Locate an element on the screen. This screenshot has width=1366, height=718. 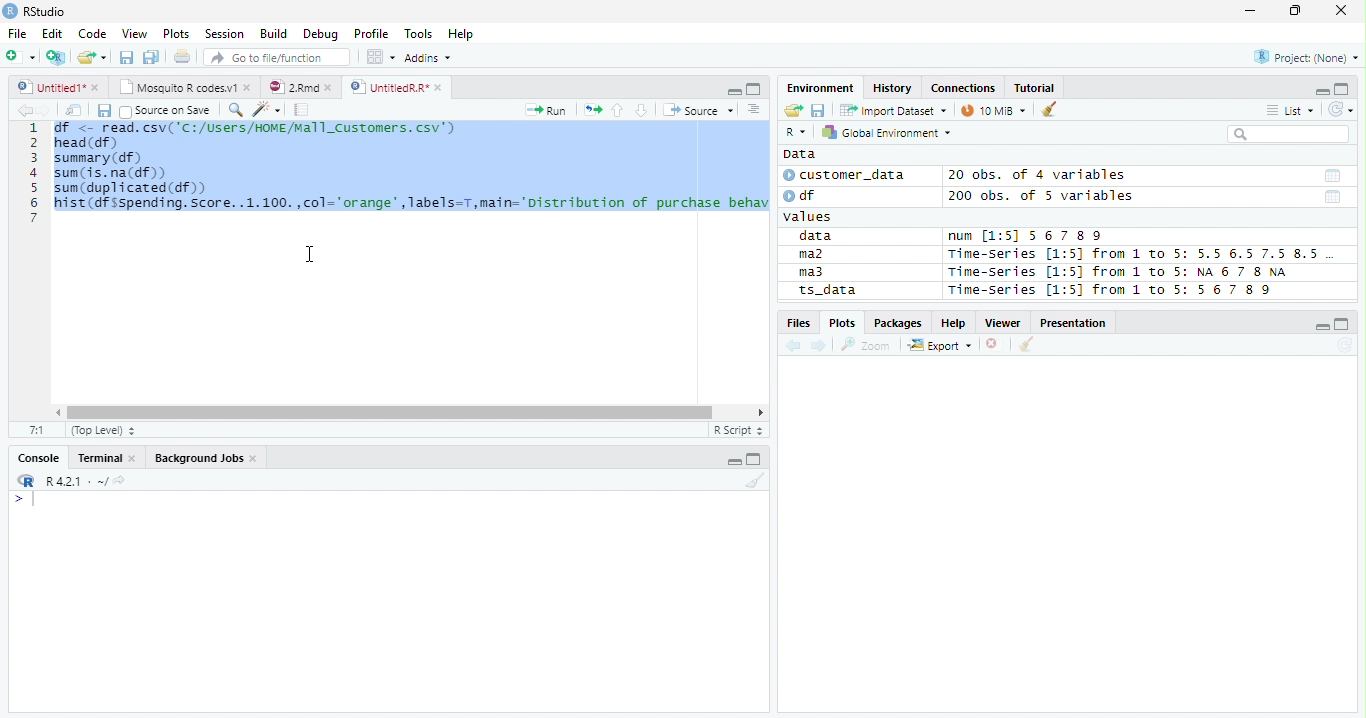
Top Level is located at coordinates (101, 431).